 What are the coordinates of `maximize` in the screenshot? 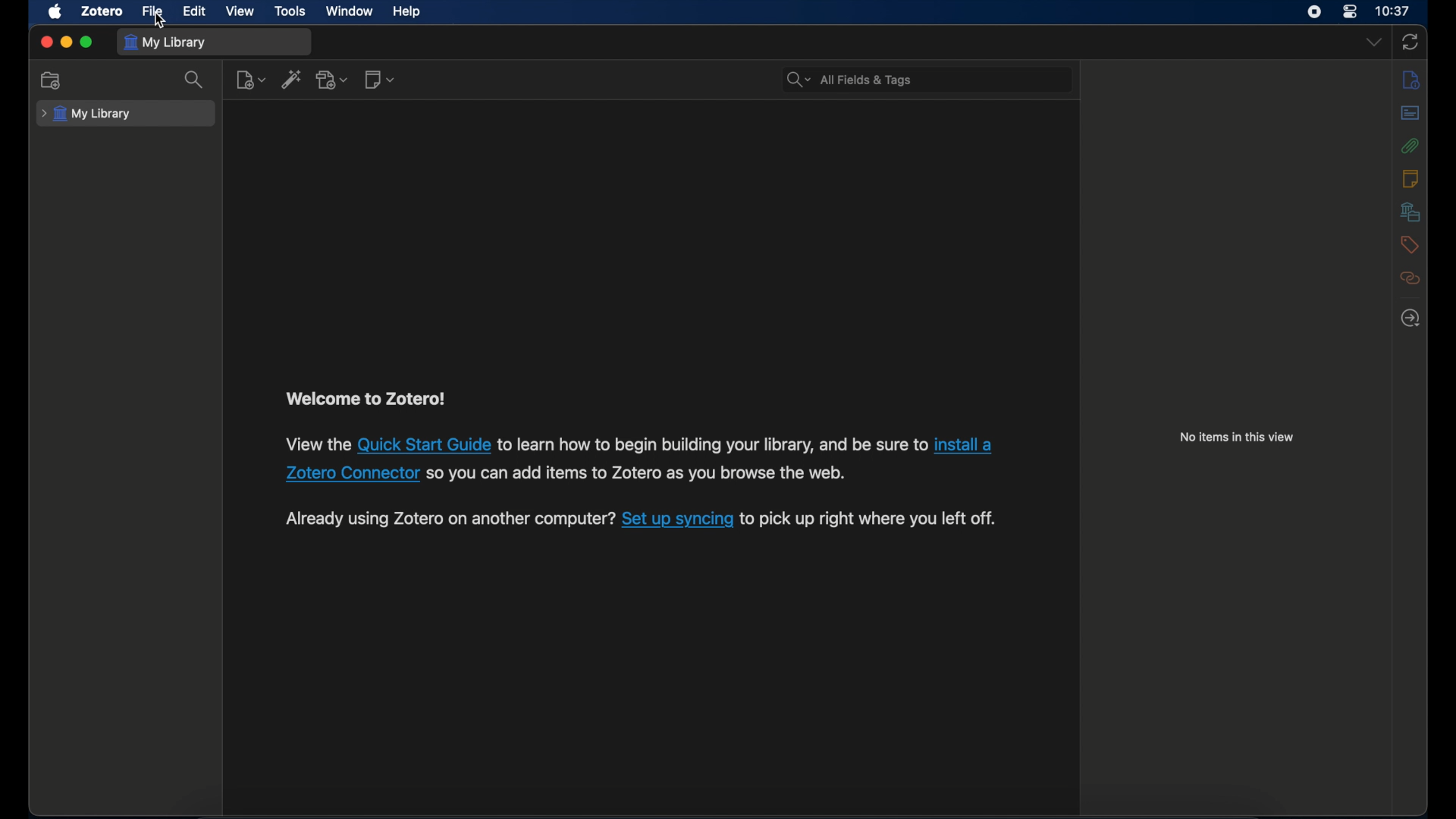 It's located at (87, 43).